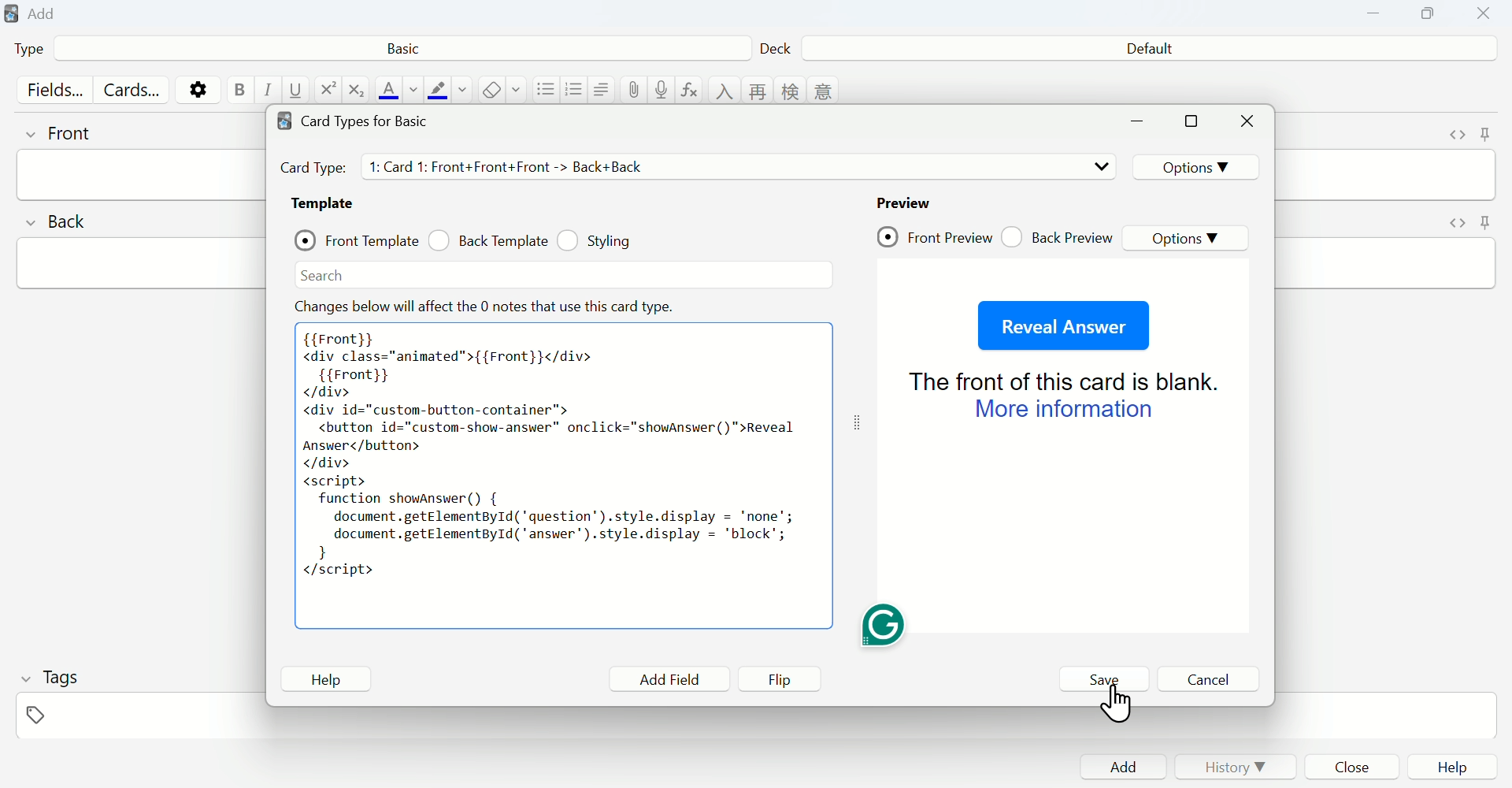  What do you see at coordinates (1102, 168) in the screenshot?
I see `drop down` at bounding box center [1102, 168].